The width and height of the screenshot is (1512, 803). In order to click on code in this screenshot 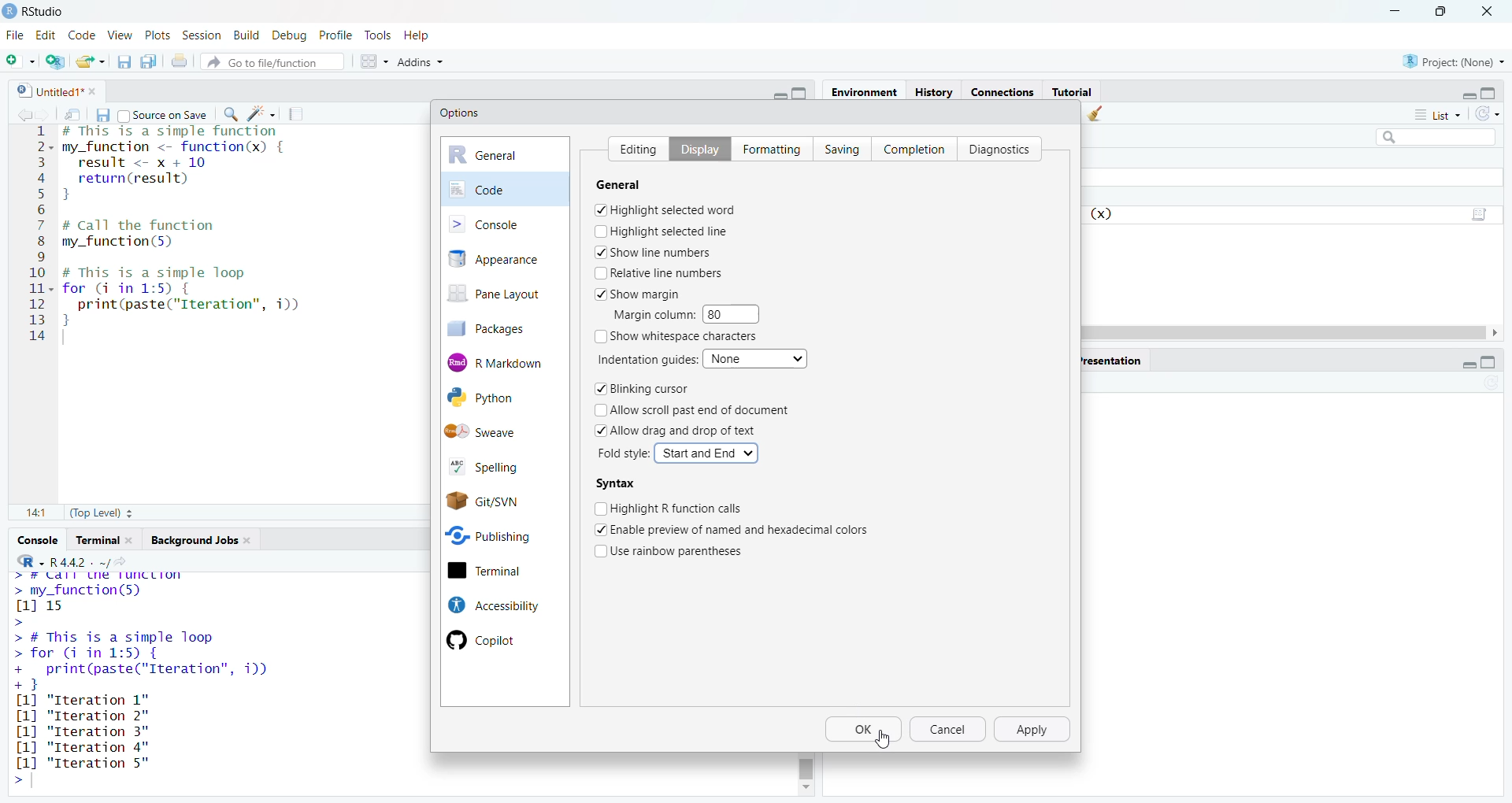, I will do `click(82, 33)`.